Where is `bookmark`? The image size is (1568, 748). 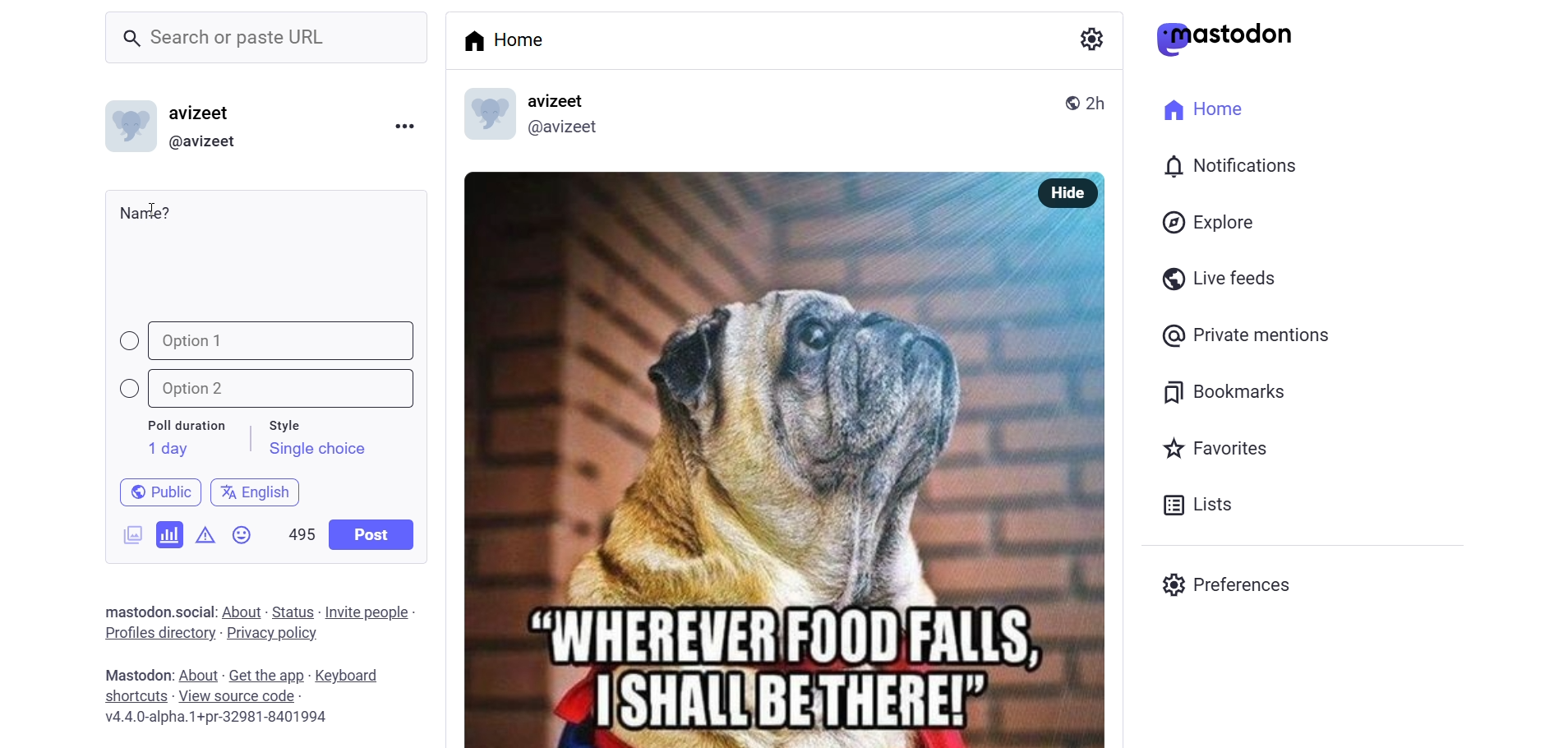
bookmark is located at coordinates (1227, 390).